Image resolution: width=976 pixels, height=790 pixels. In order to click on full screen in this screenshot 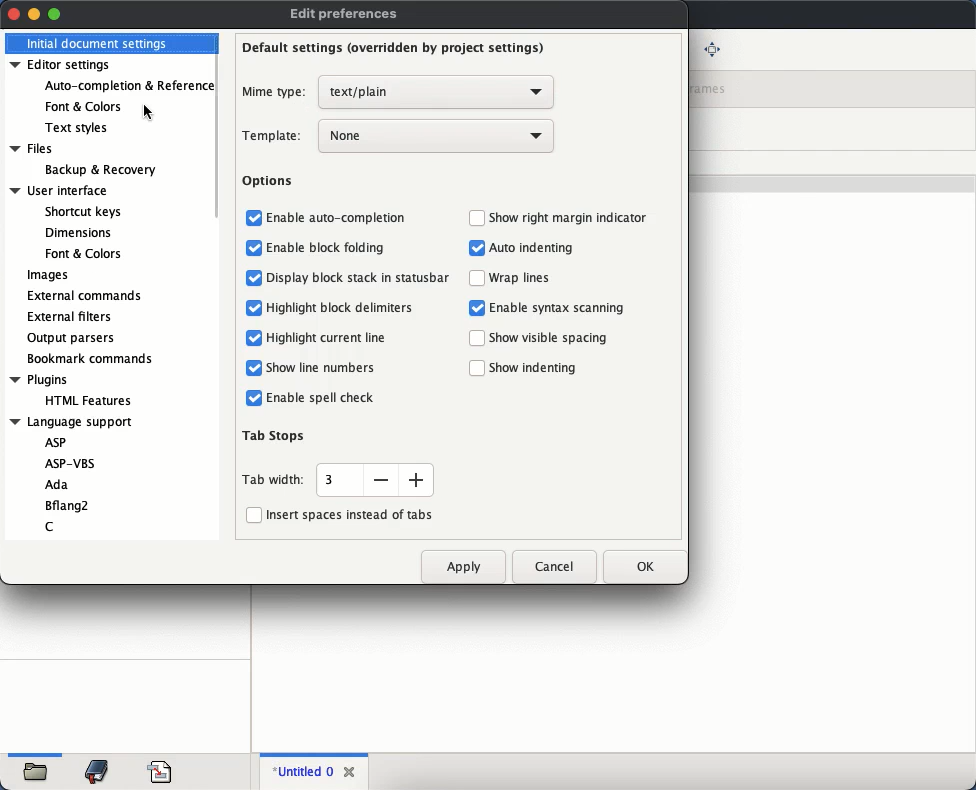, I will do `click(713, 50)`.